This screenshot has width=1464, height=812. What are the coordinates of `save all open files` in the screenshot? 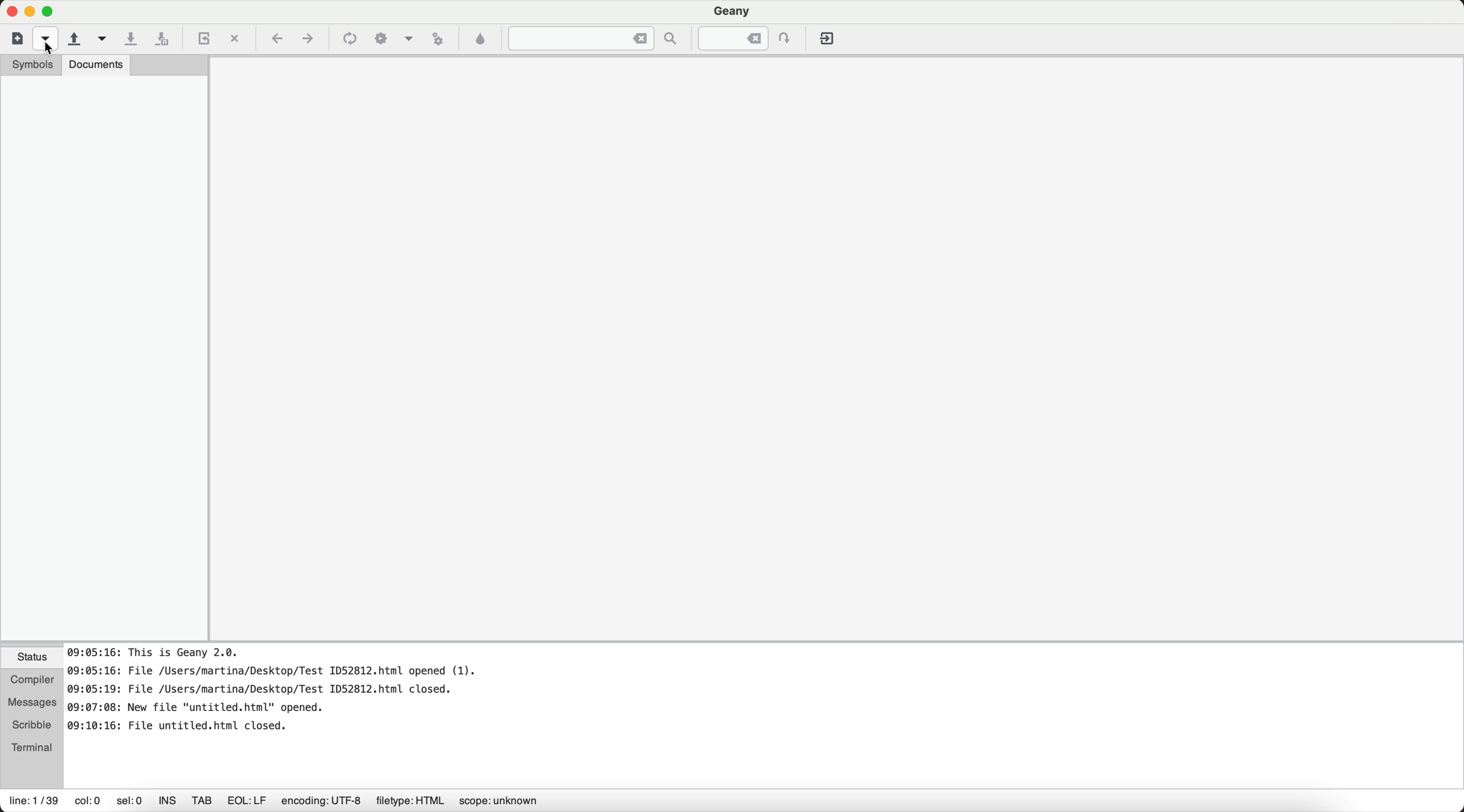 It's located at (162, 41).